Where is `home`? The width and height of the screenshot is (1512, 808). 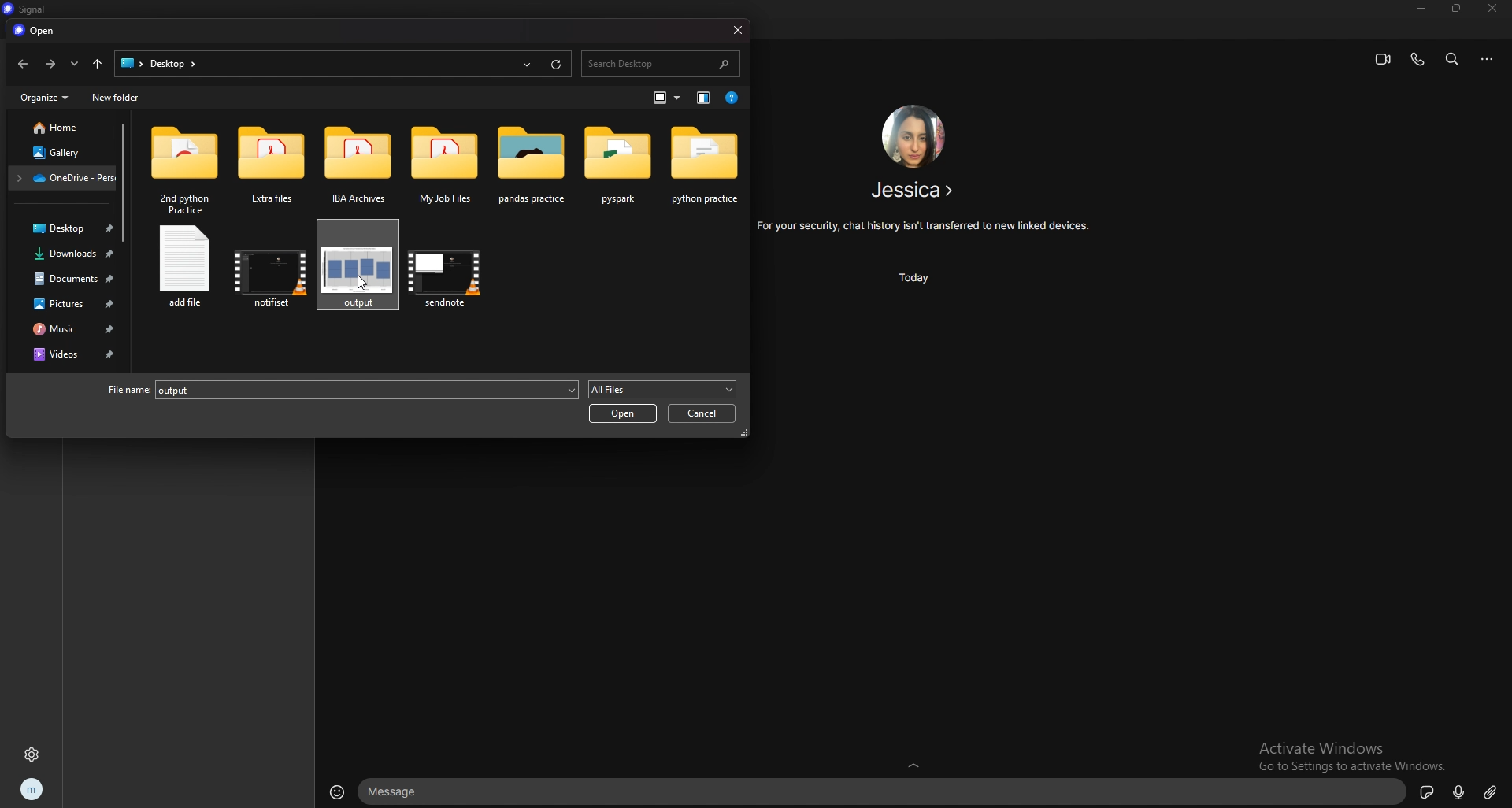
home is located at coordinates (64, 128).